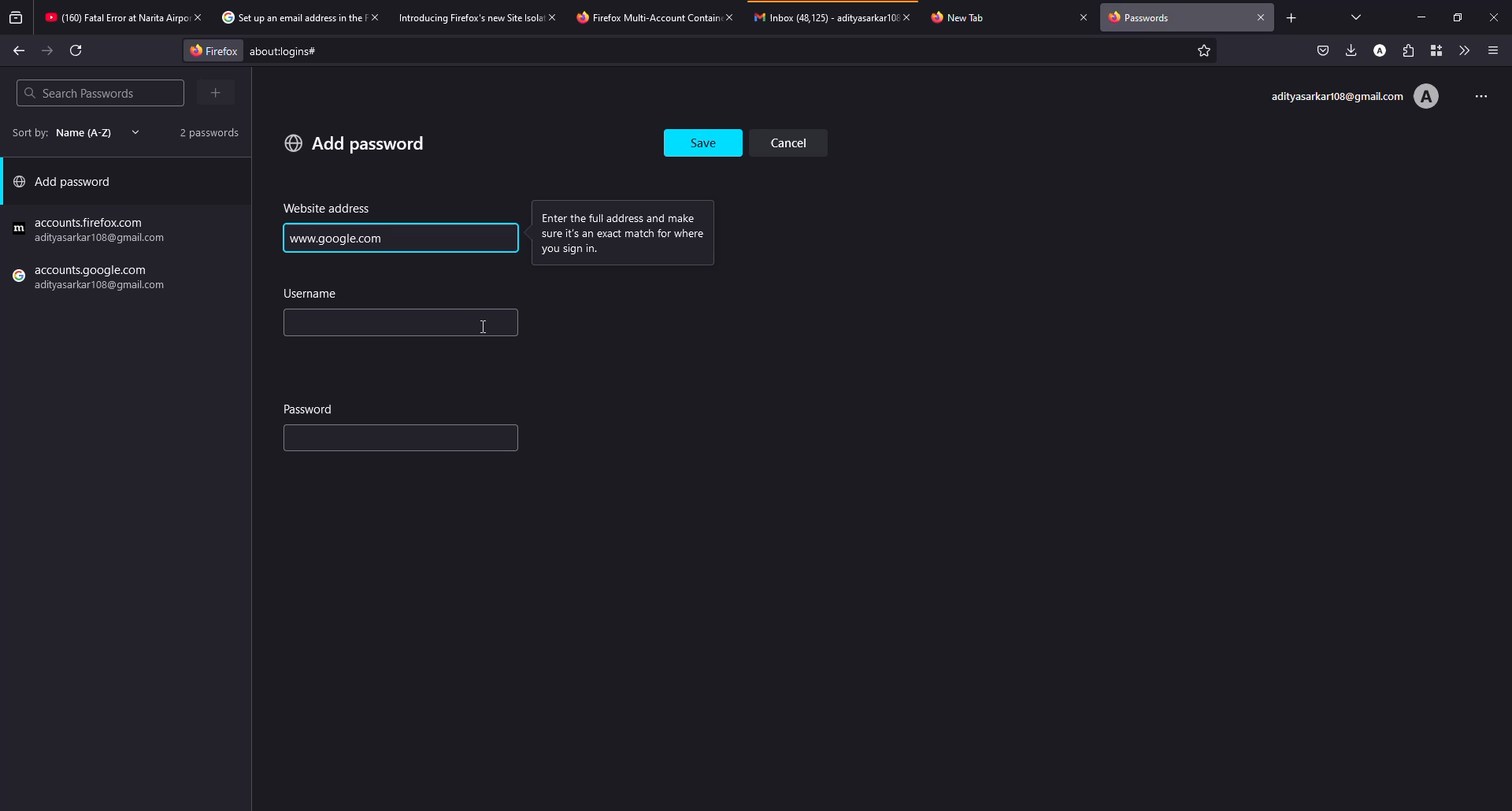  I want to click on sort by name, so click(71, 132).